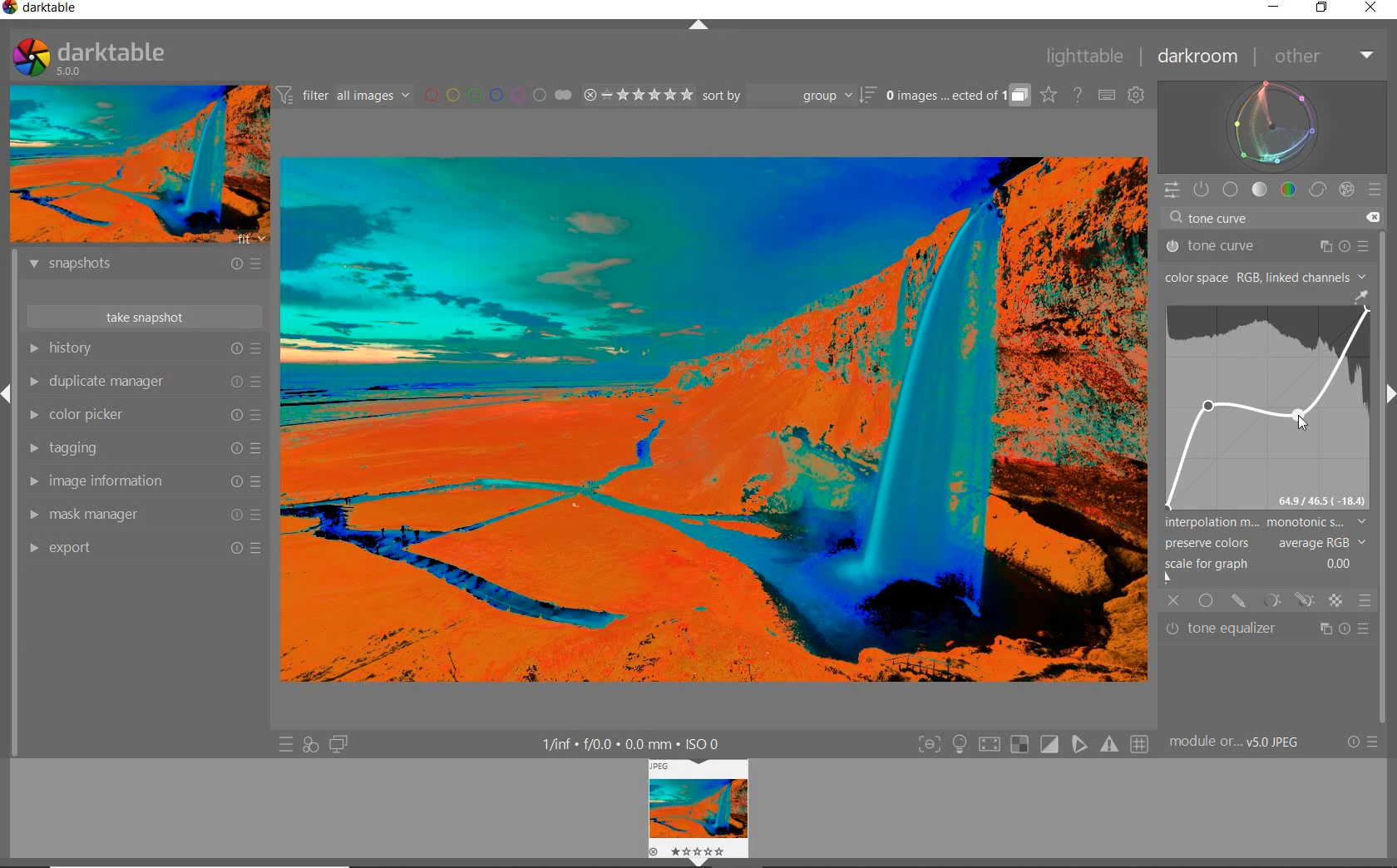 Image resolution: width=1397 pixels, height=868 pixels. Describe the element at coordinates (144, 315) in the screenshot. I see `take snapshot` at that location.